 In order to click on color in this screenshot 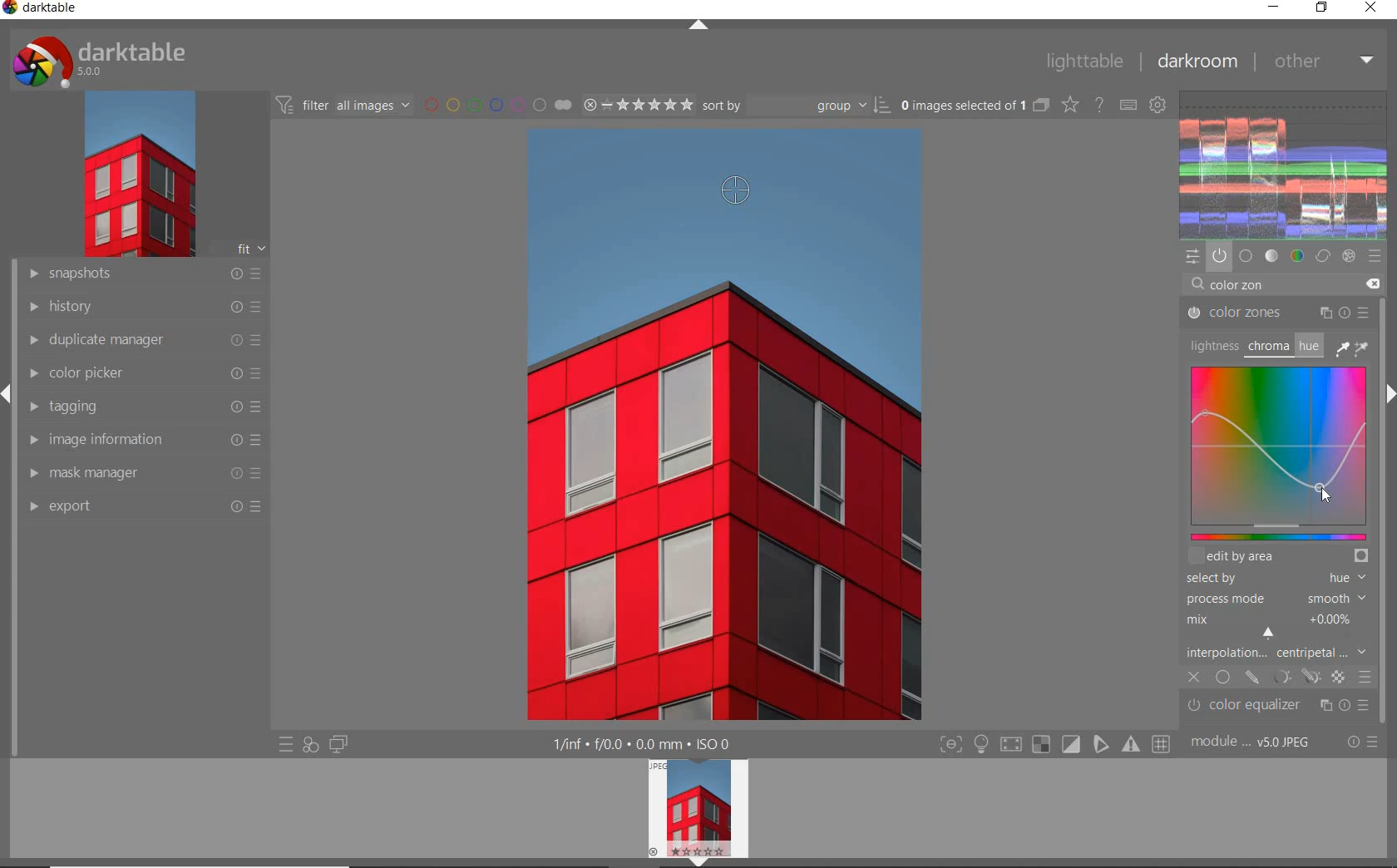, I will do `click(1296, 256)`.